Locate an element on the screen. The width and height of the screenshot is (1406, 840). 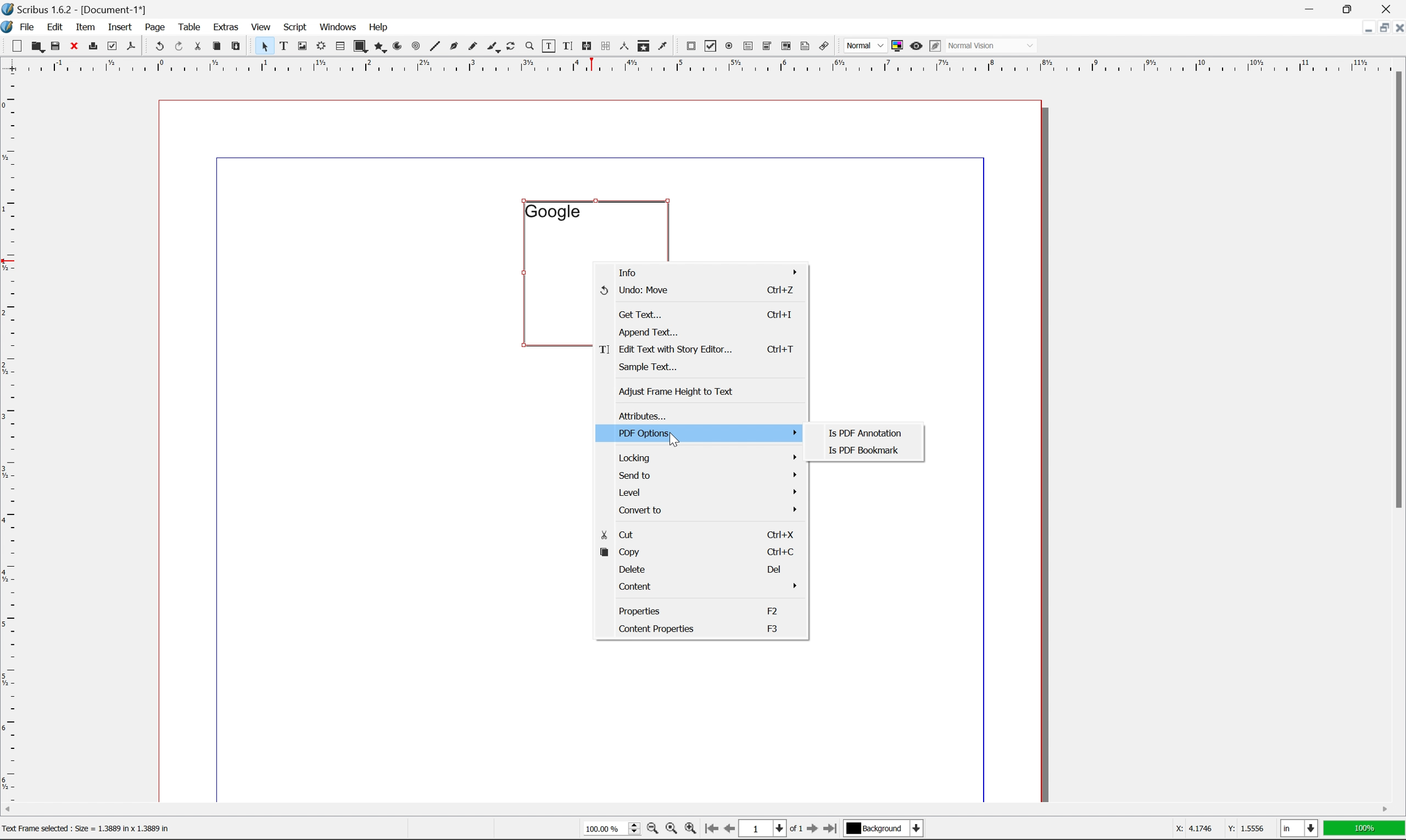
attributes... is located at coordinates (640, 417).